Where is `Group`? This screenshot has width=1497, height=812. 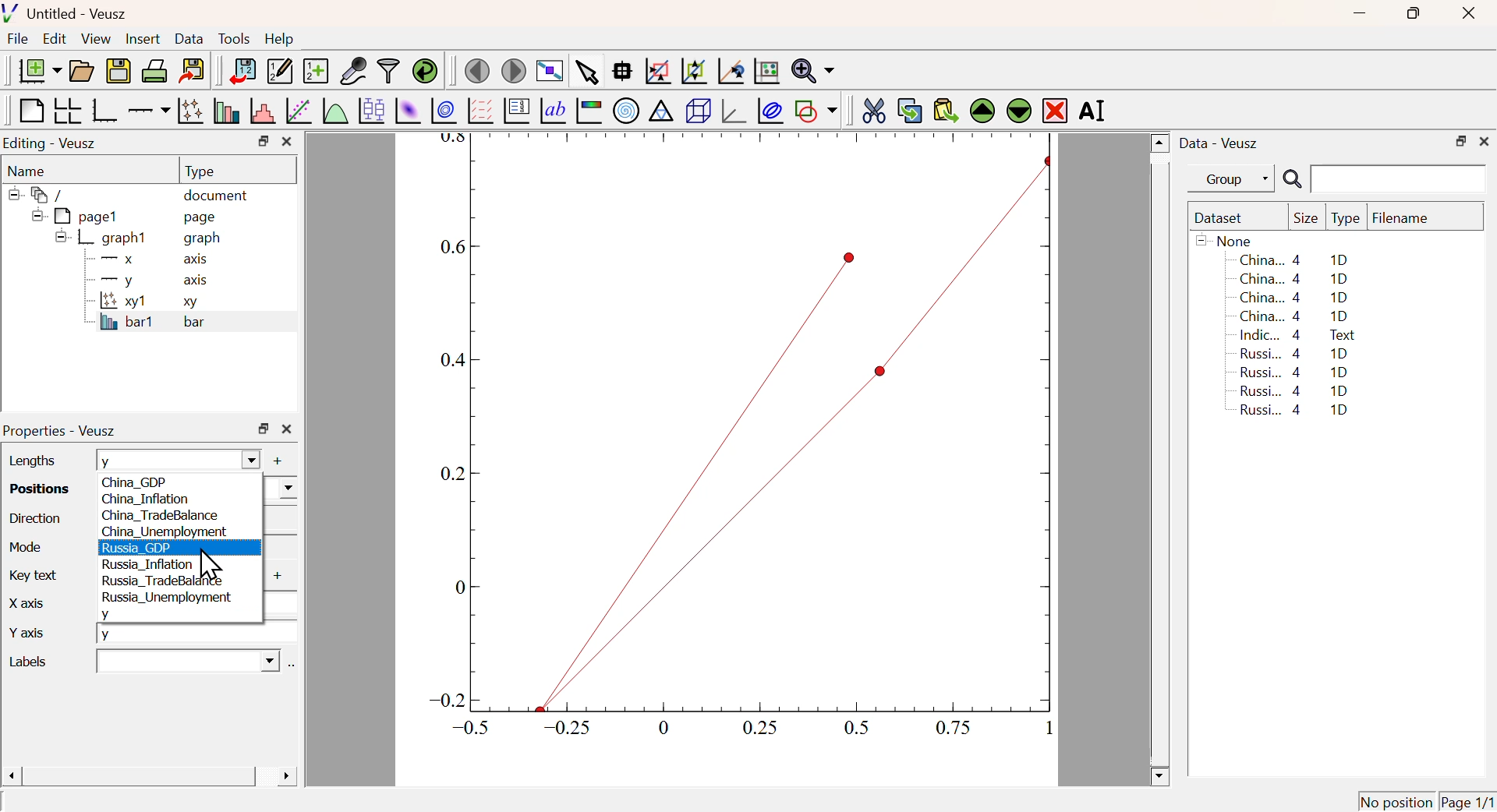
Group is located at coordinates (1236, 180).